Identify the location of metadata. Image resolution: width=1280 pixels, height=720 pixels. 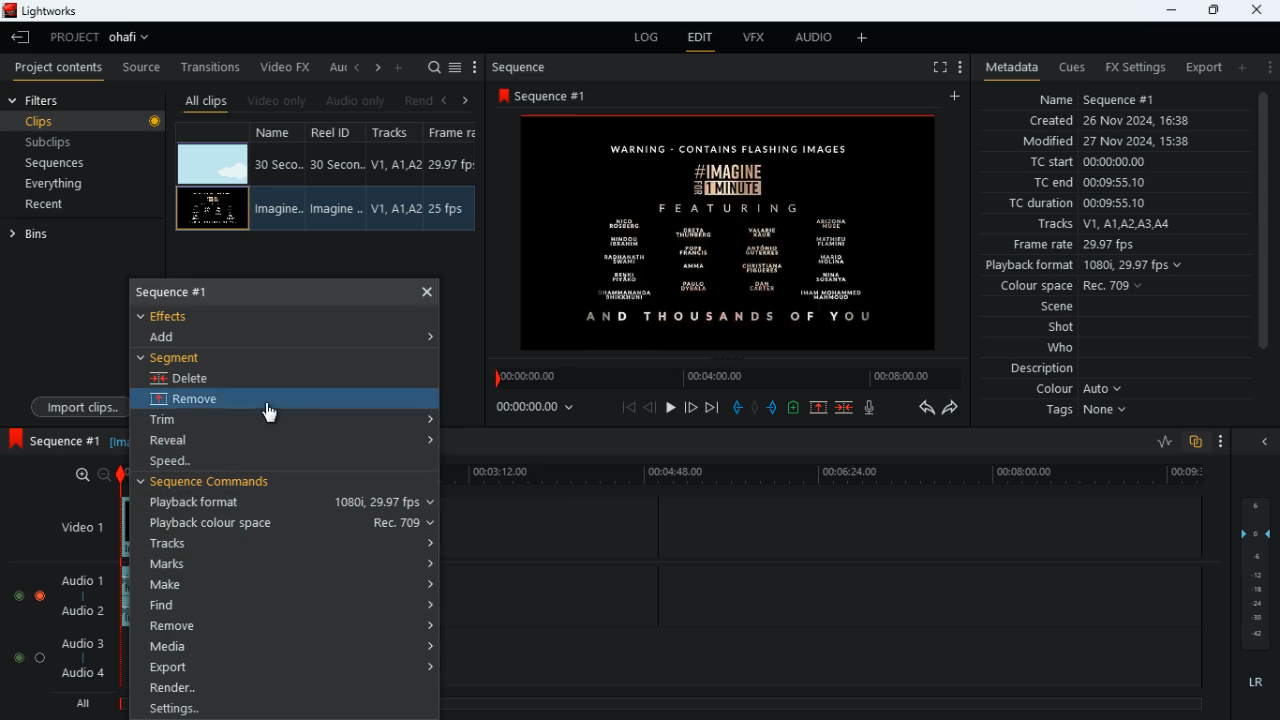
(1007, 68).